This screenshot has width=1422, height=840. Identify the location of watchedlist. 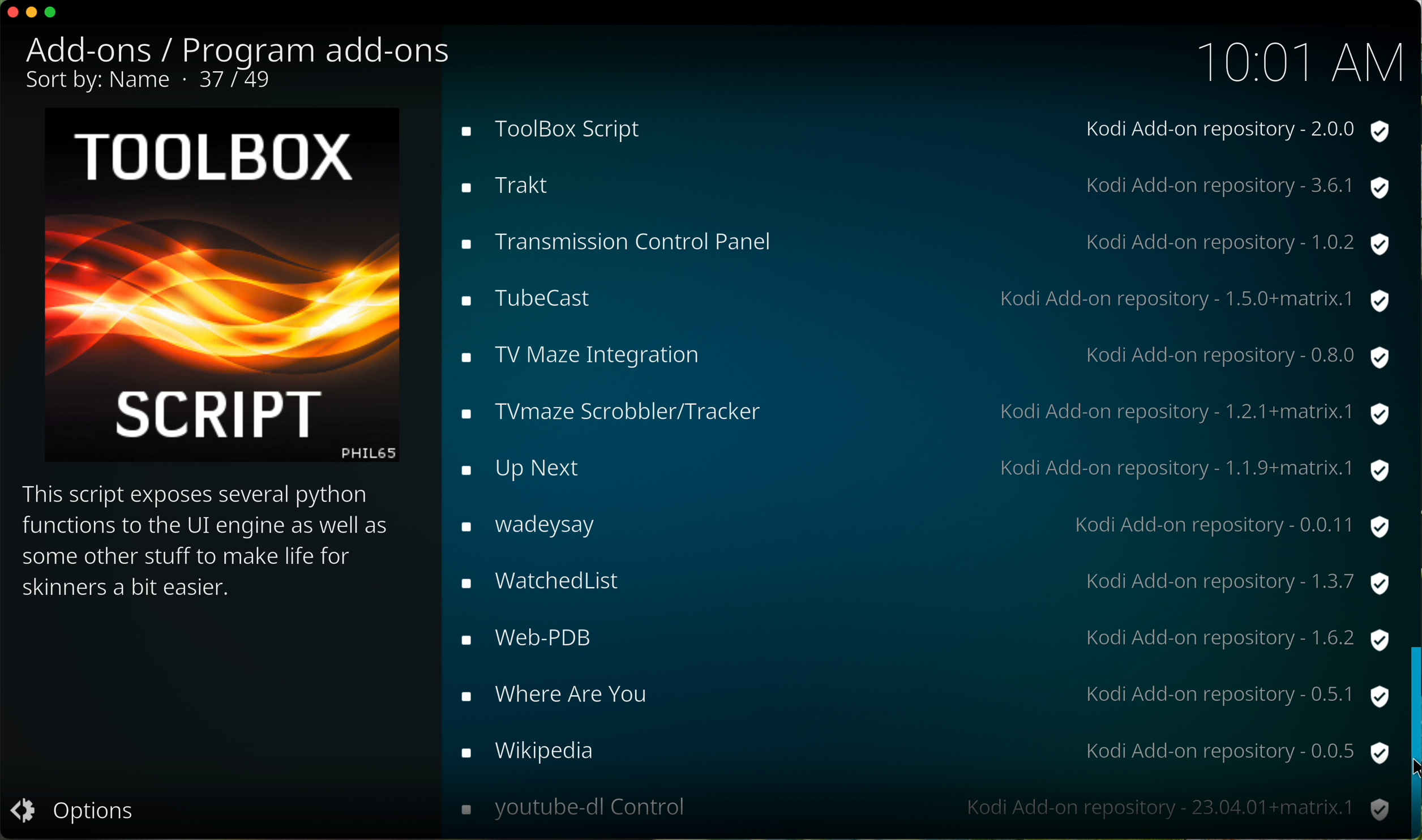
(924, 582).